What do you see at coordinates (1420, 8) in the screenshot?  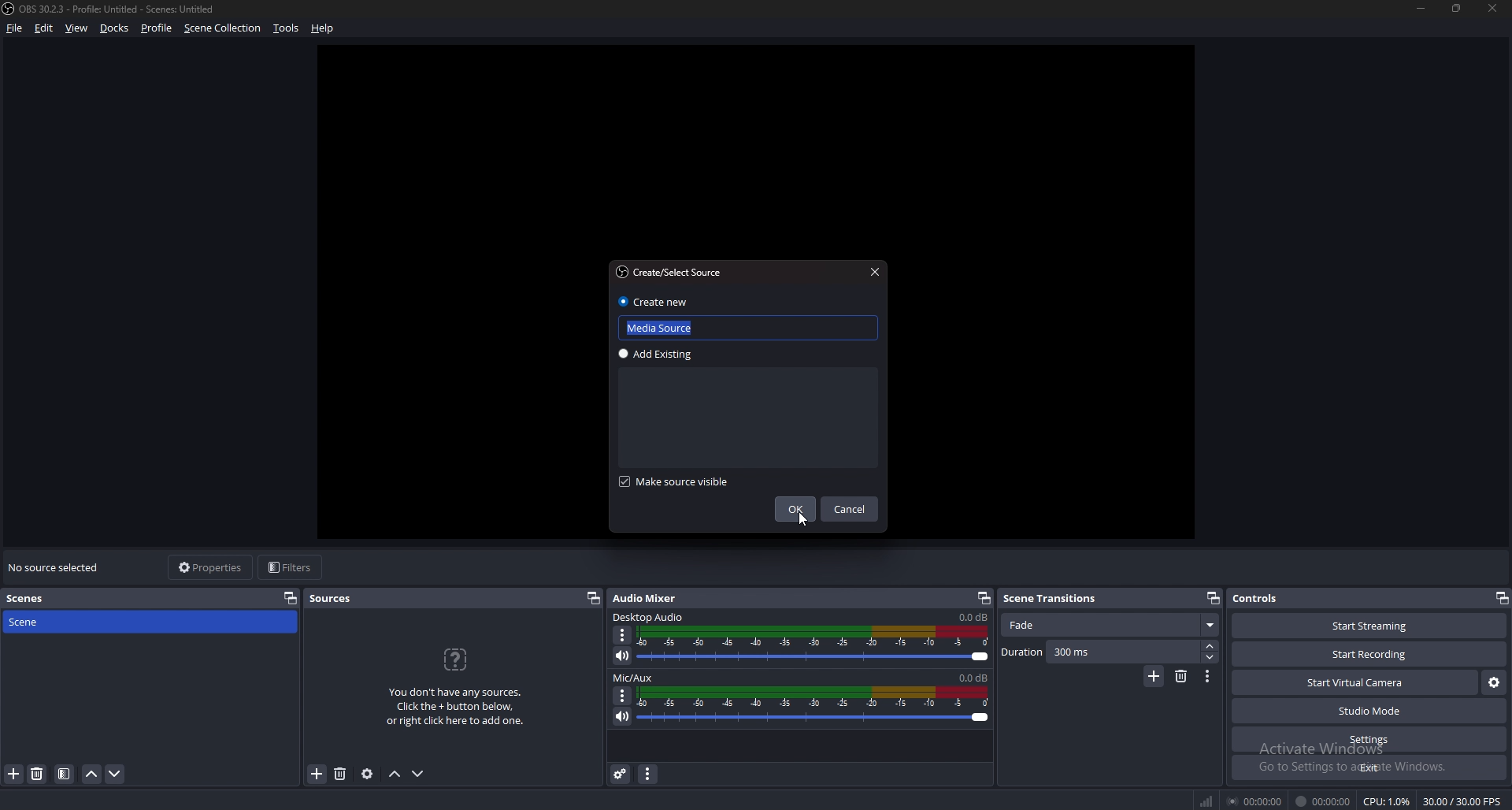 I see `Minimize` at bounding box center [1420, 8].